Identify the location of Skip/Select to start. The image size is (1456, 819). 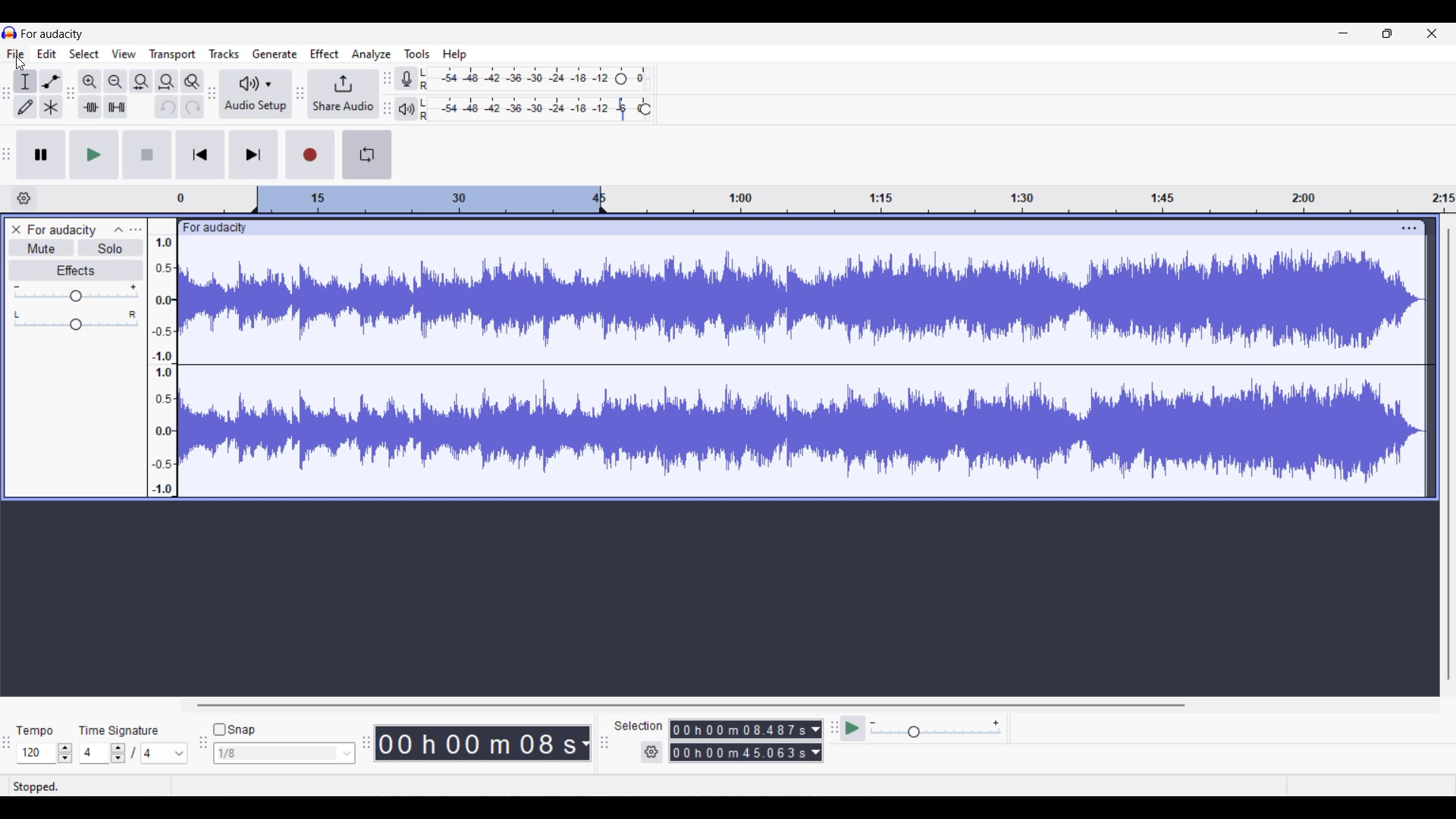
(200, 154).